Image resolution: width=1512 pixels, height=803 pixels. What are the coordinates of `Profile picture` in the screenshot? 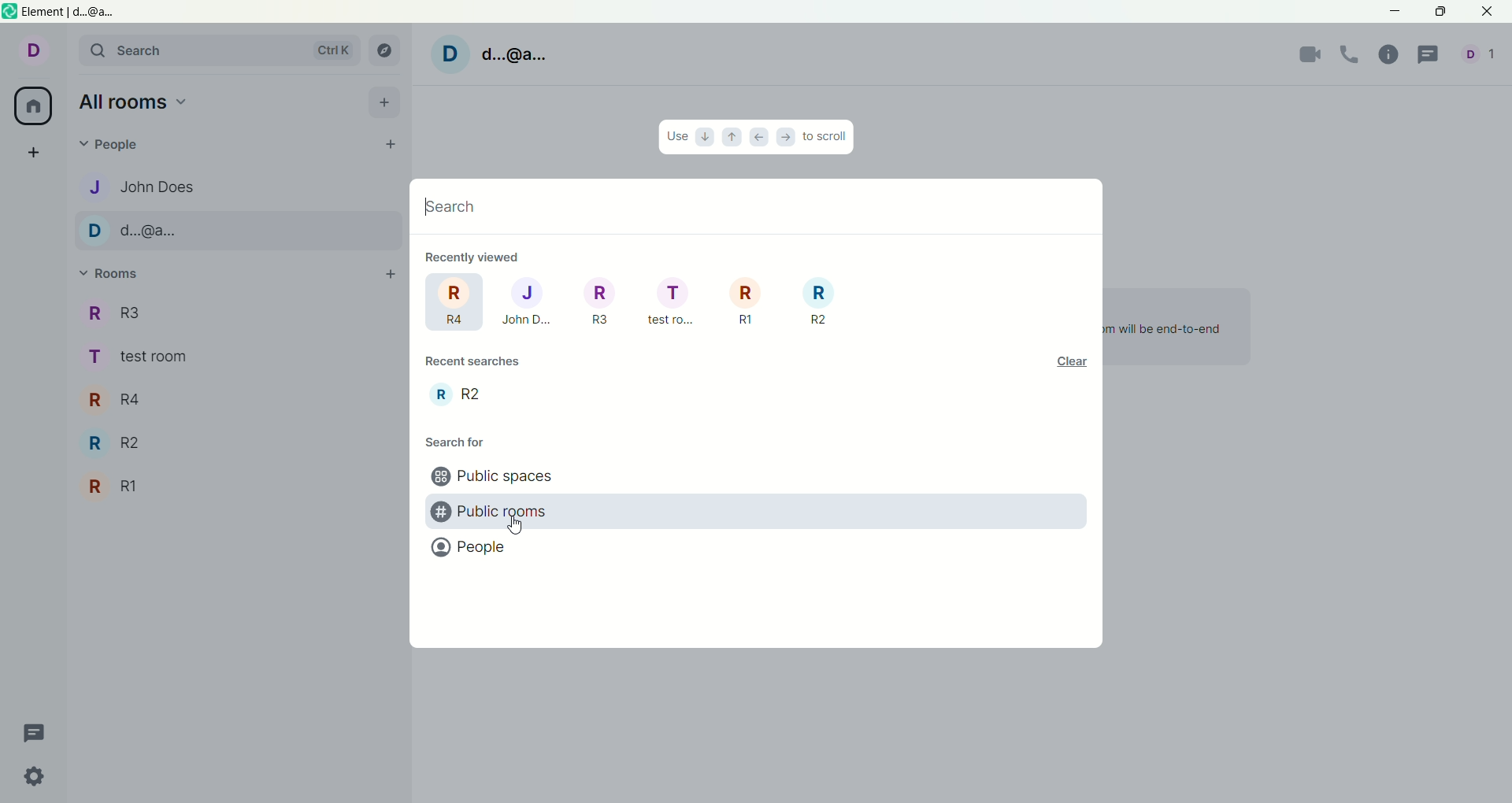 It's located at (450, 55).